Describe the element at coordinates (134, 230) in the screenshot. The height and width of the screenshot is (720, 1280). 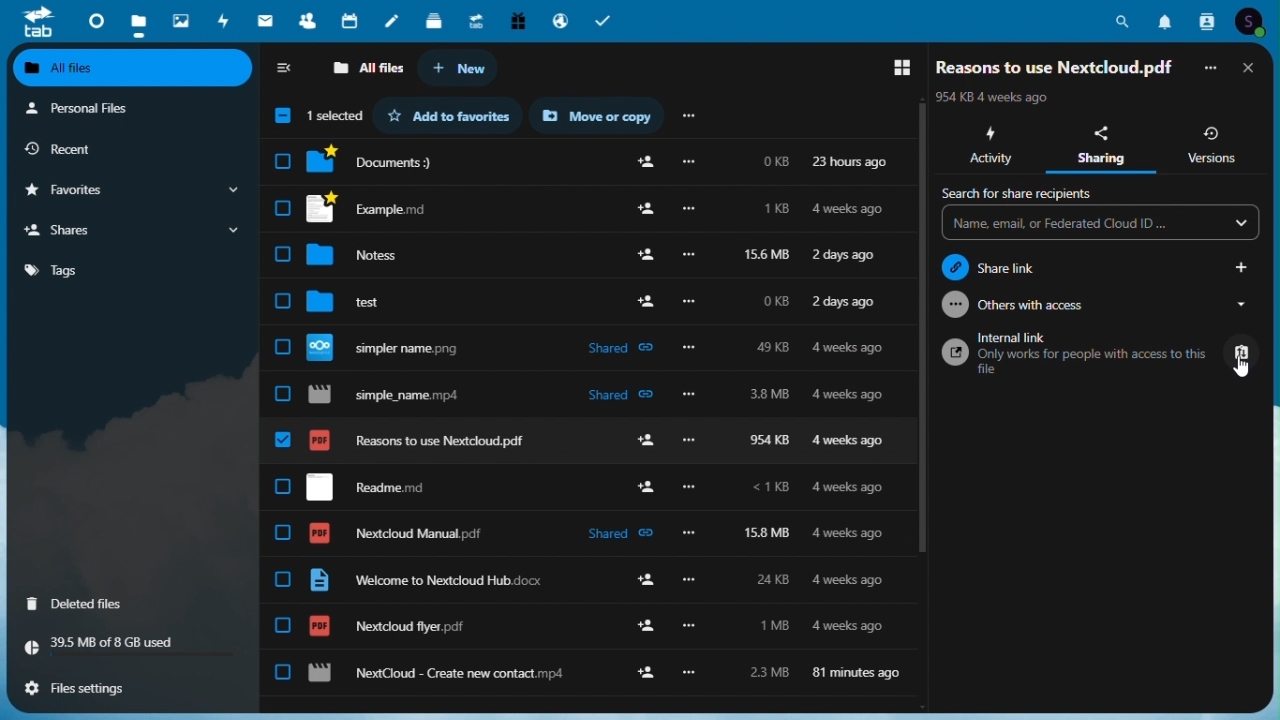
I see `shares` at that location.